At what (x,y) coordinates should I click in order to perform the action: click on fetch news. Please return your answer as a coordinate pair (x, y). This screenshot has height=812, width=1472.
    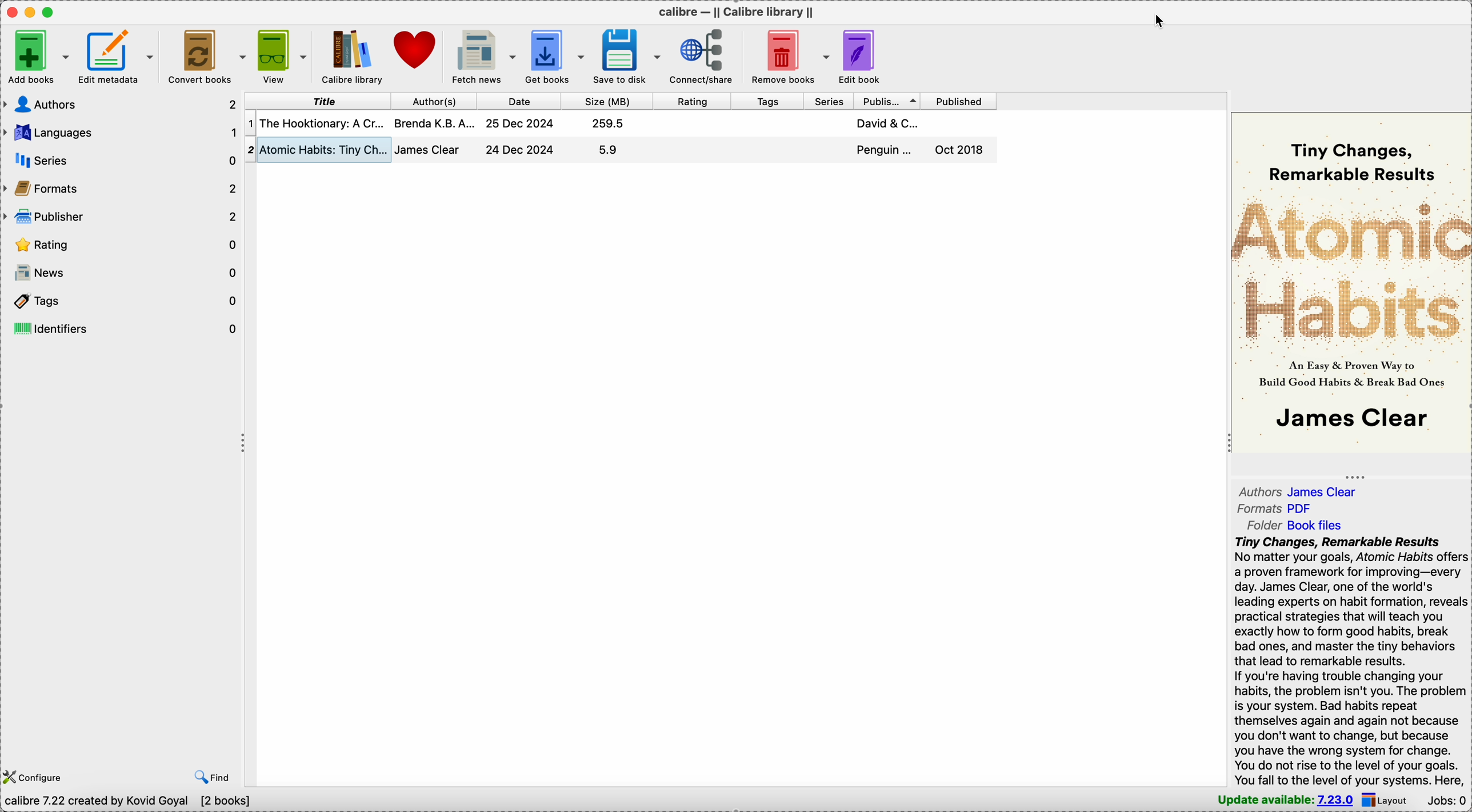
    Looking at the image, I should click on (482, 55).